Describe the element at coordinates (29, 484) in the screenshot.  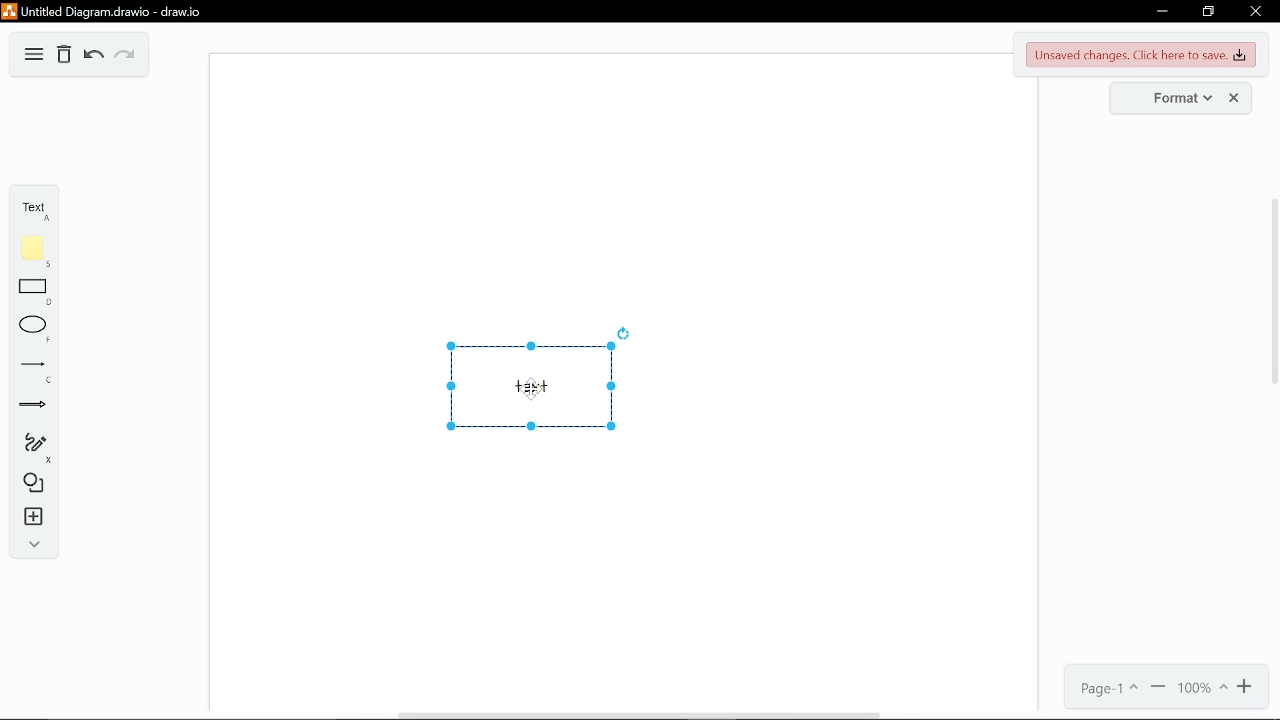
I see `shapes` at that location.